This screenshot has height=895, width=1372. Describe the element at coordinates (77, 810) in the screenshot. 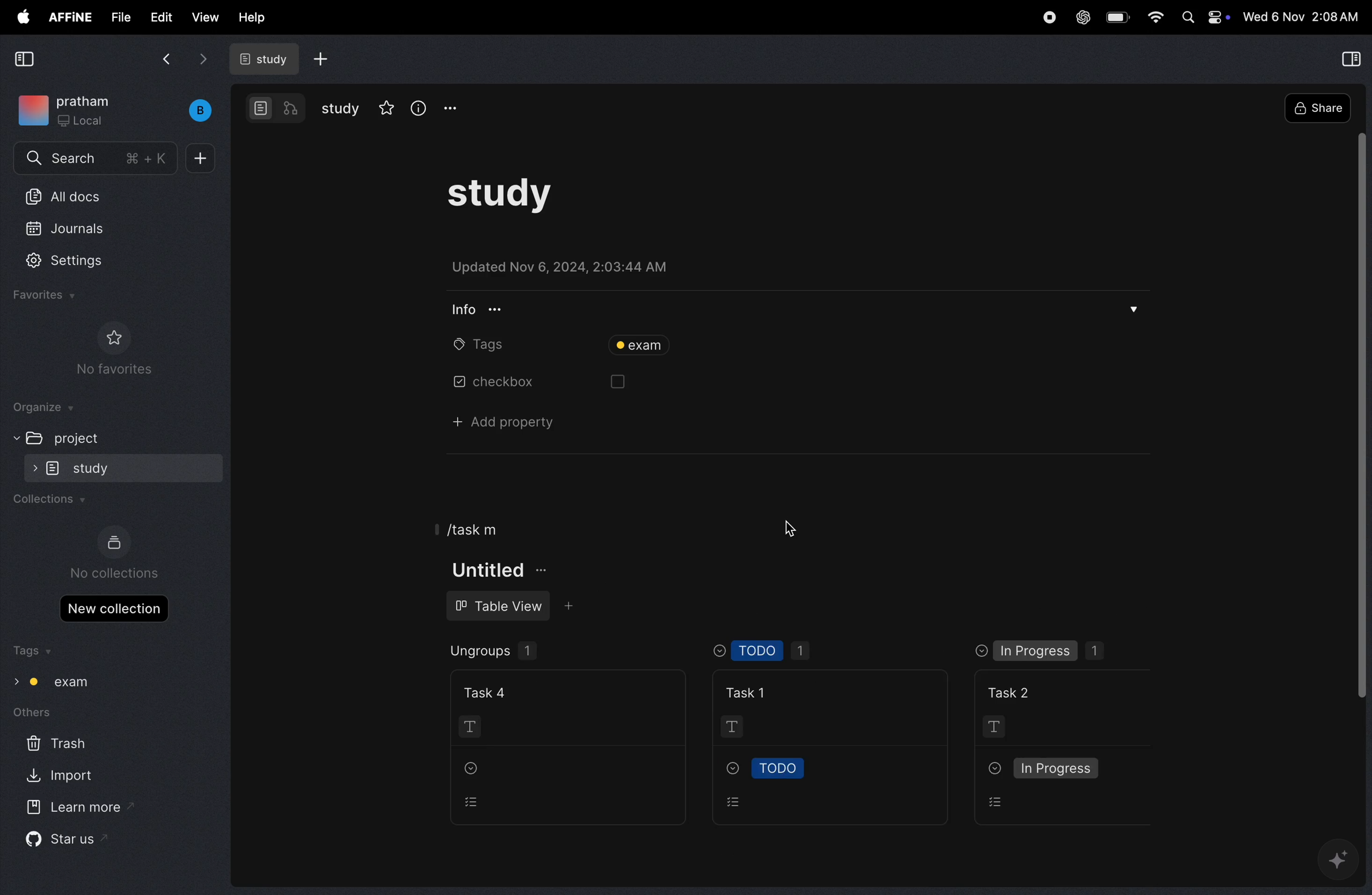

I see `learn more` at that location.